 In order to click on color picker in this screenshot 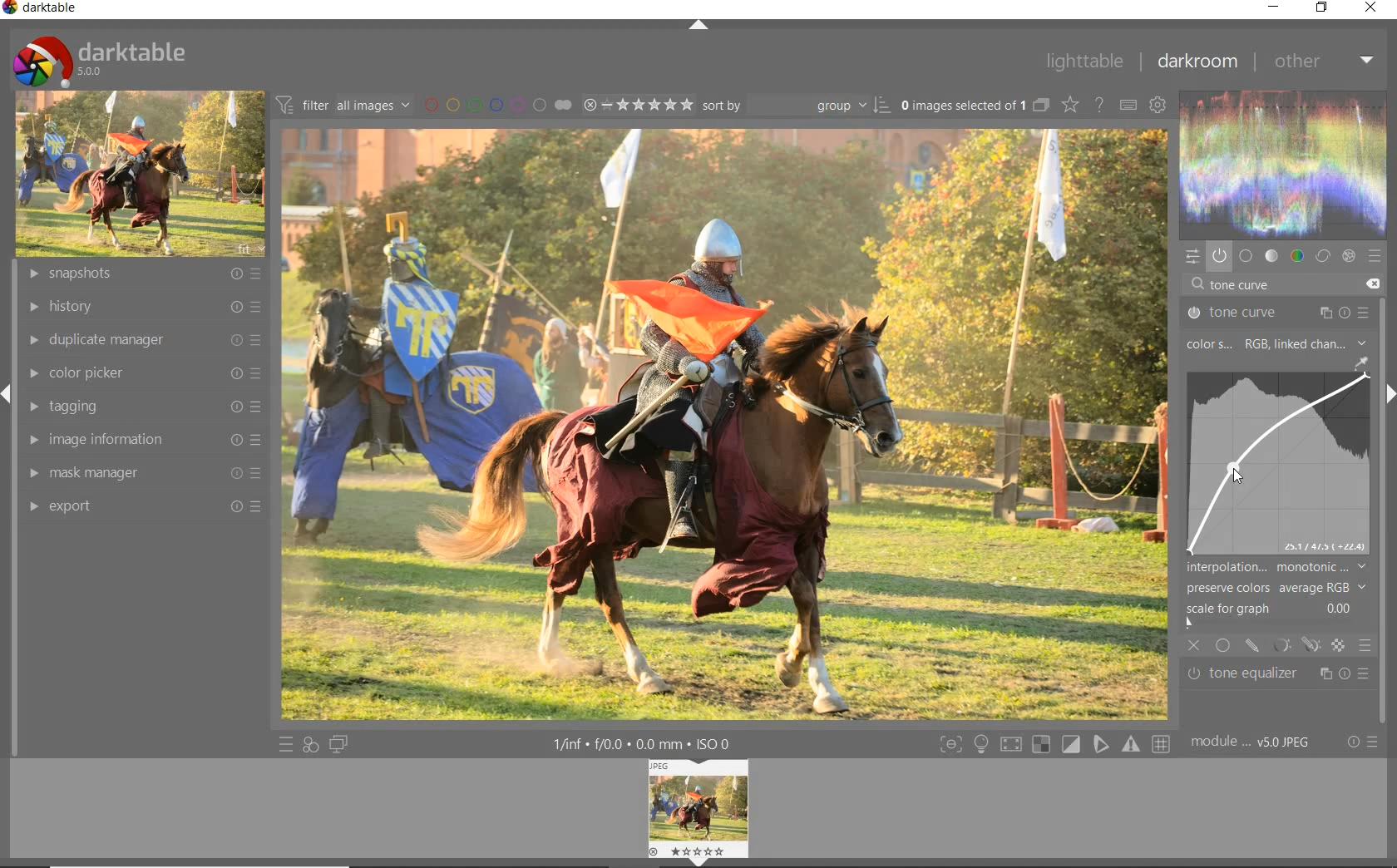, I will do `click(142, 374)`.